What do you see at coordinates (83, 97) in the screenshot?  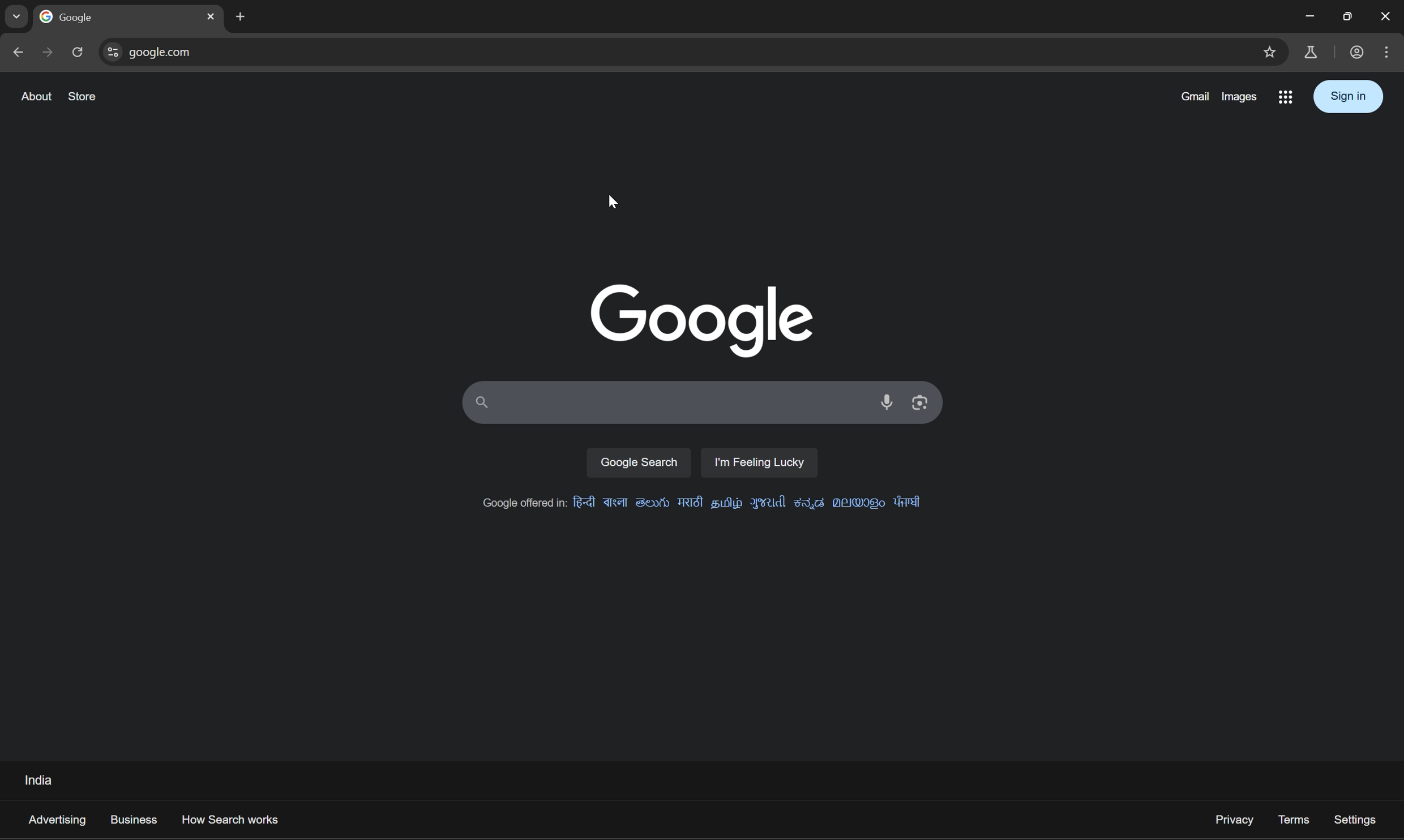 I see `store` at bounding box center [83, 97].